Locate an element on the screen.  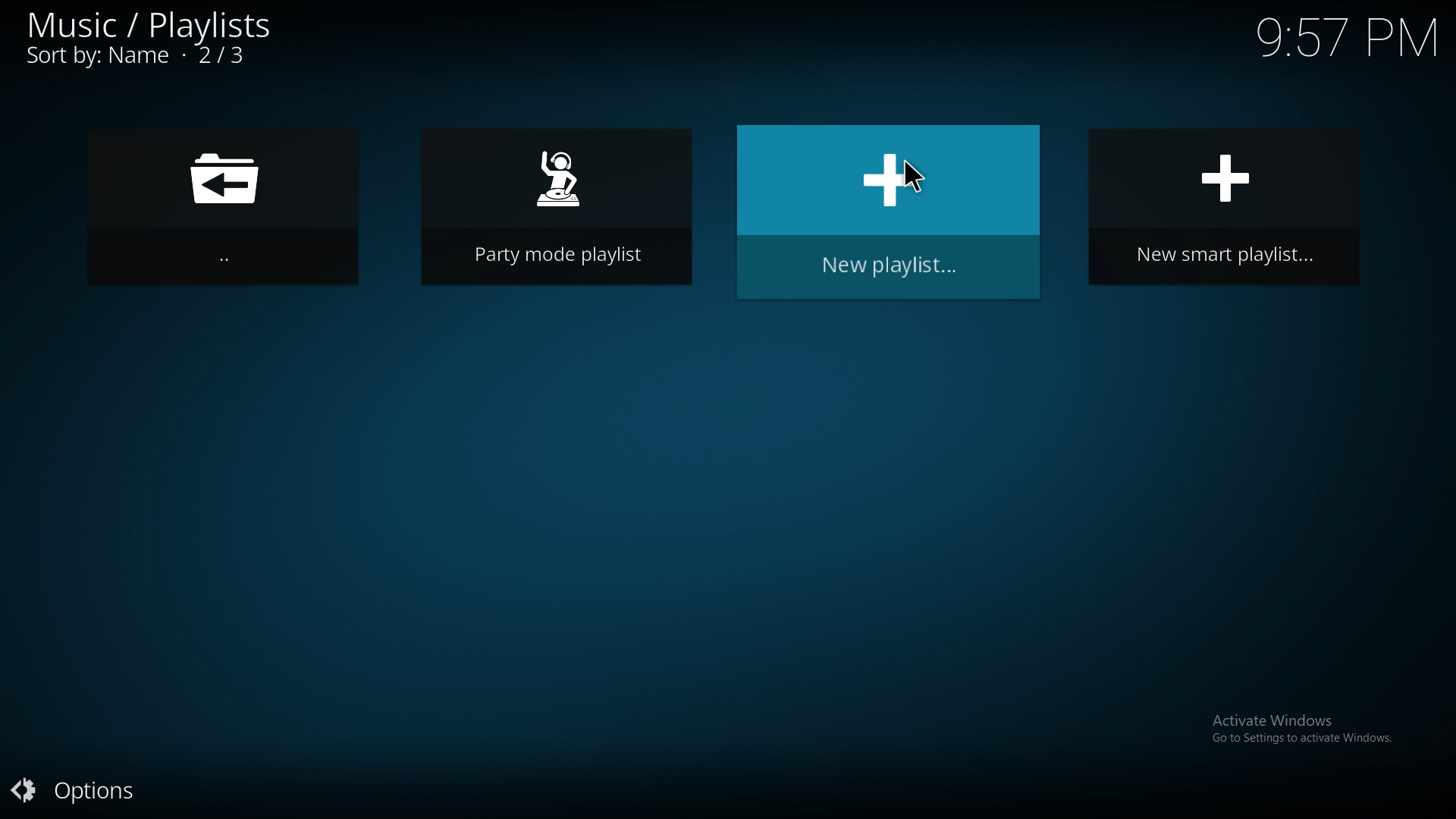
9:57 PM is located at coordinates (1347, 44).